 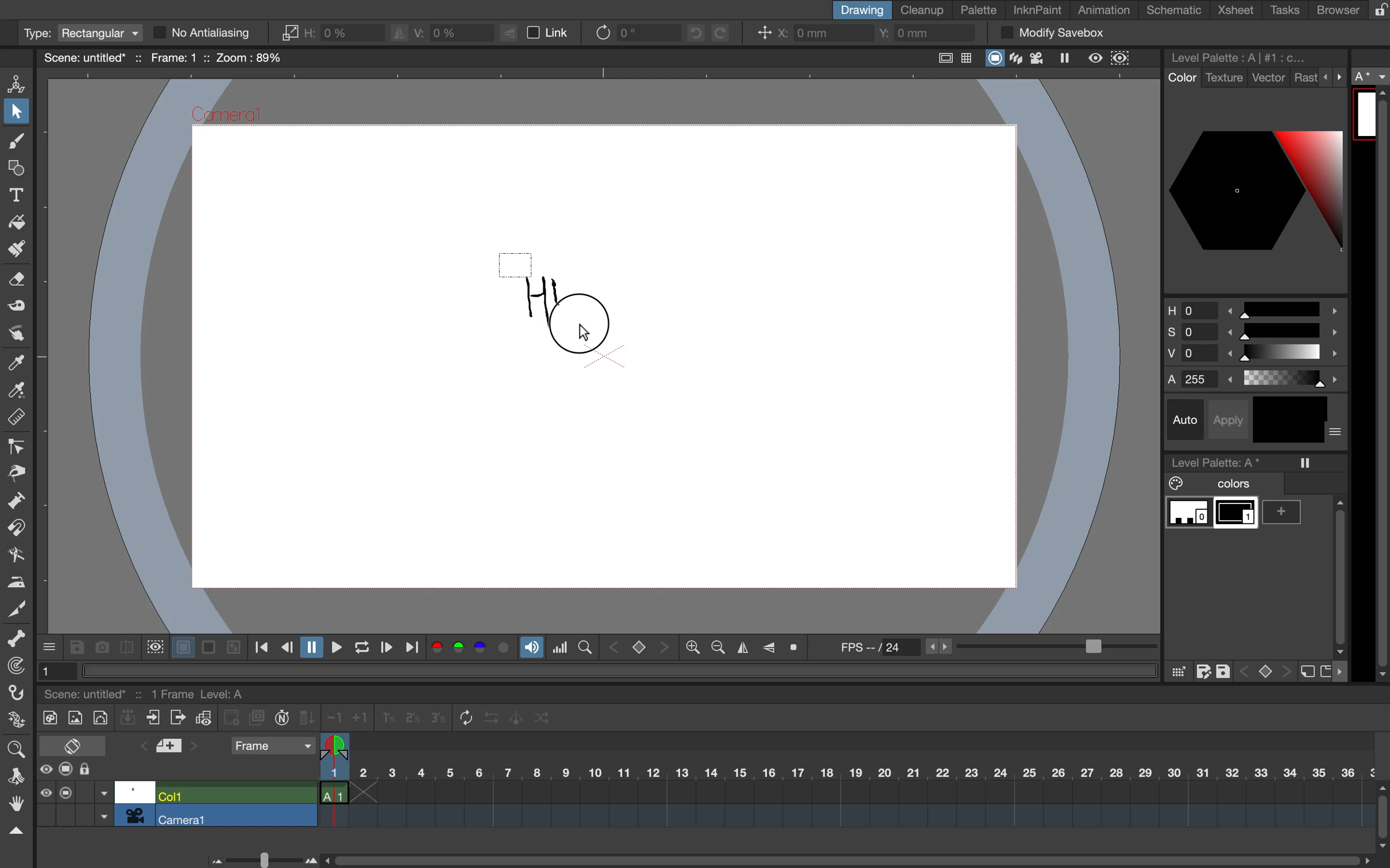 What do you see at coordinates (232, 646) in the screenshot?
I see `checkered background` at bounding box center [232, 646].